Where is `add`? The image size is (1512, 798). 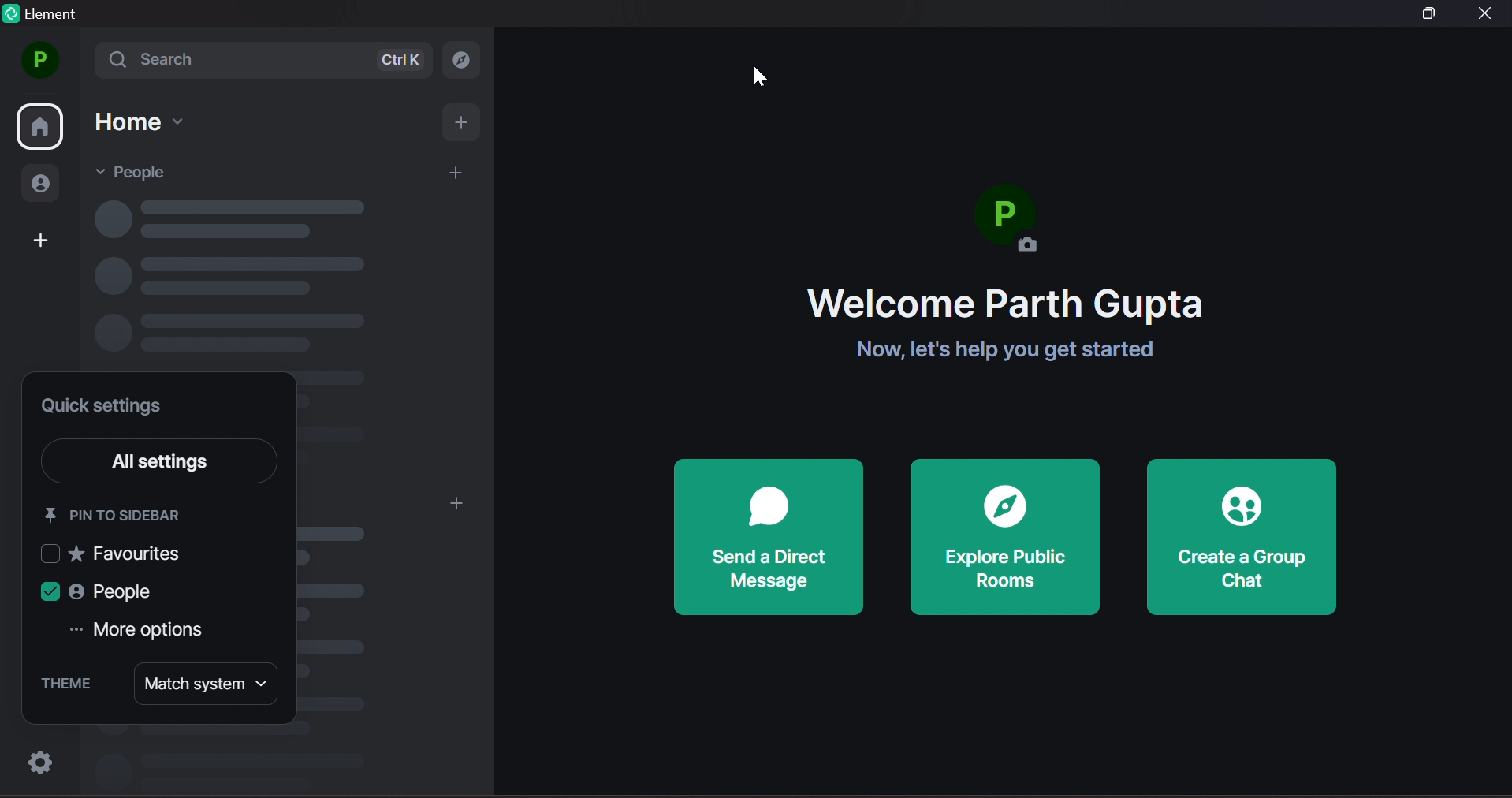 add is located at coordinates (464, 125).